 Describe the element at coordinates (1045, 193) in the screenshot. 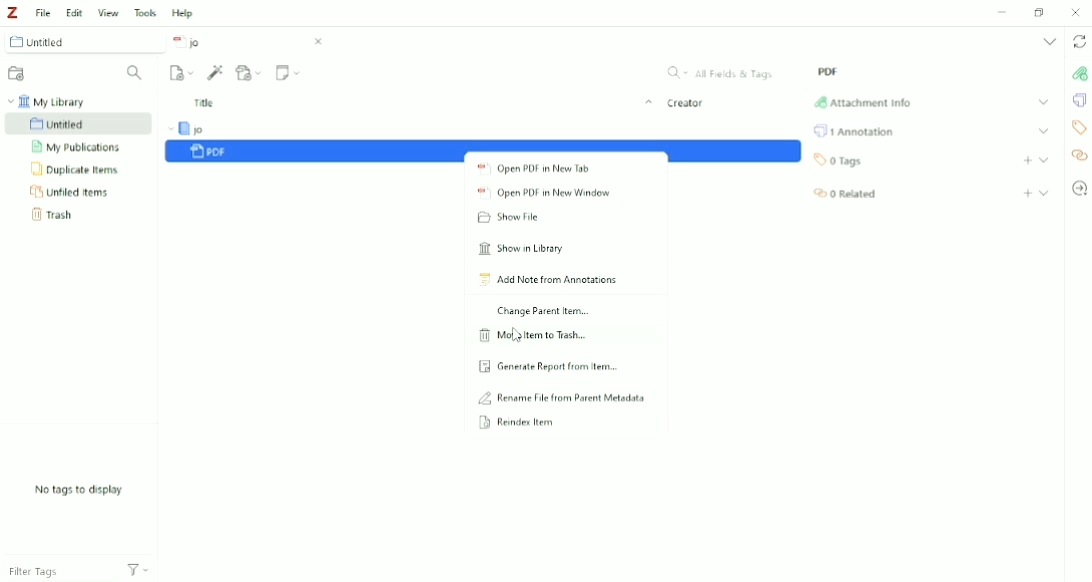

I see `Expand section` at that location.